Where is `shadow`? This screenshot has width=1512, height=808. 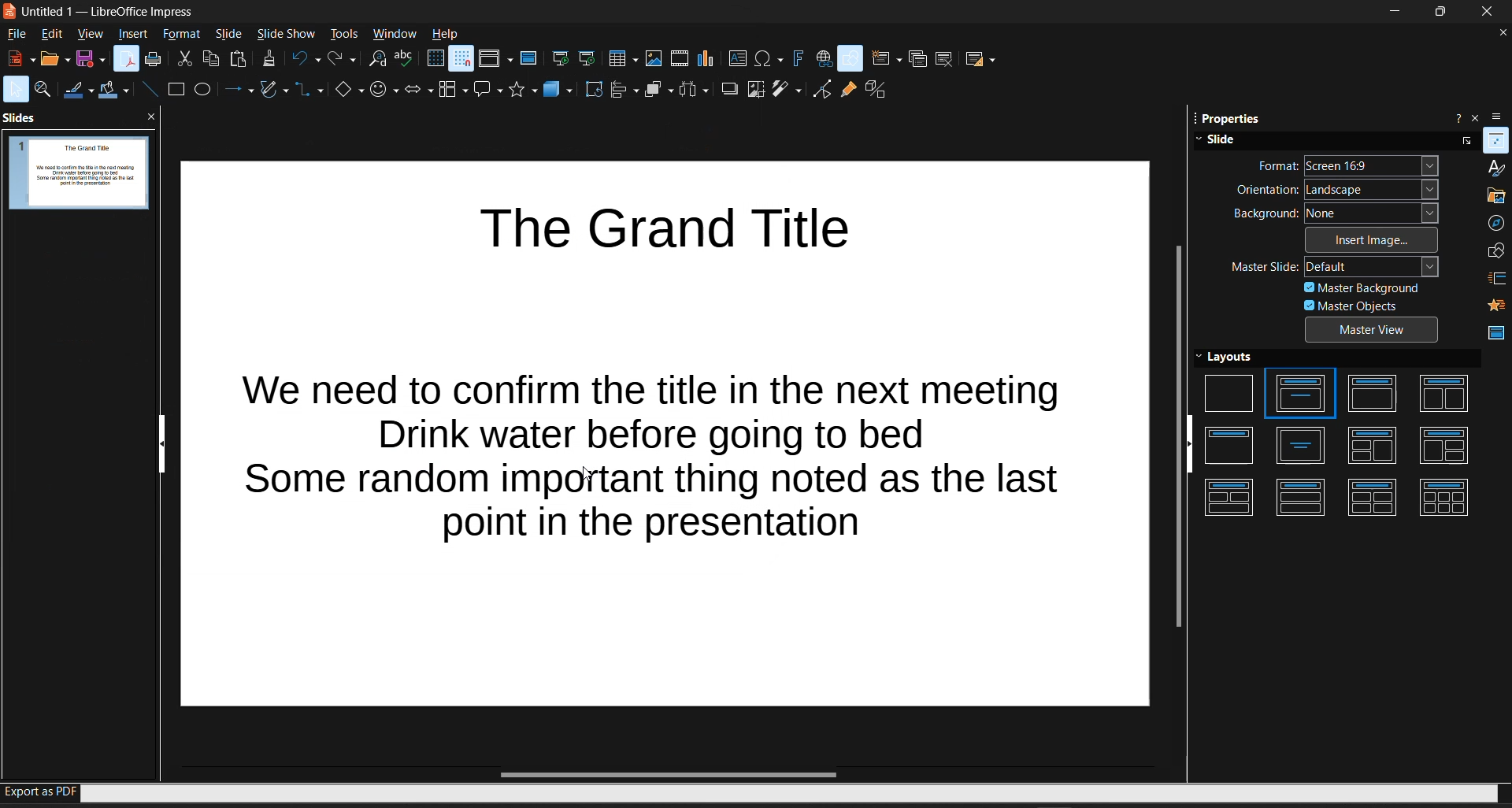 shadow is located at coordinates (732, 90).